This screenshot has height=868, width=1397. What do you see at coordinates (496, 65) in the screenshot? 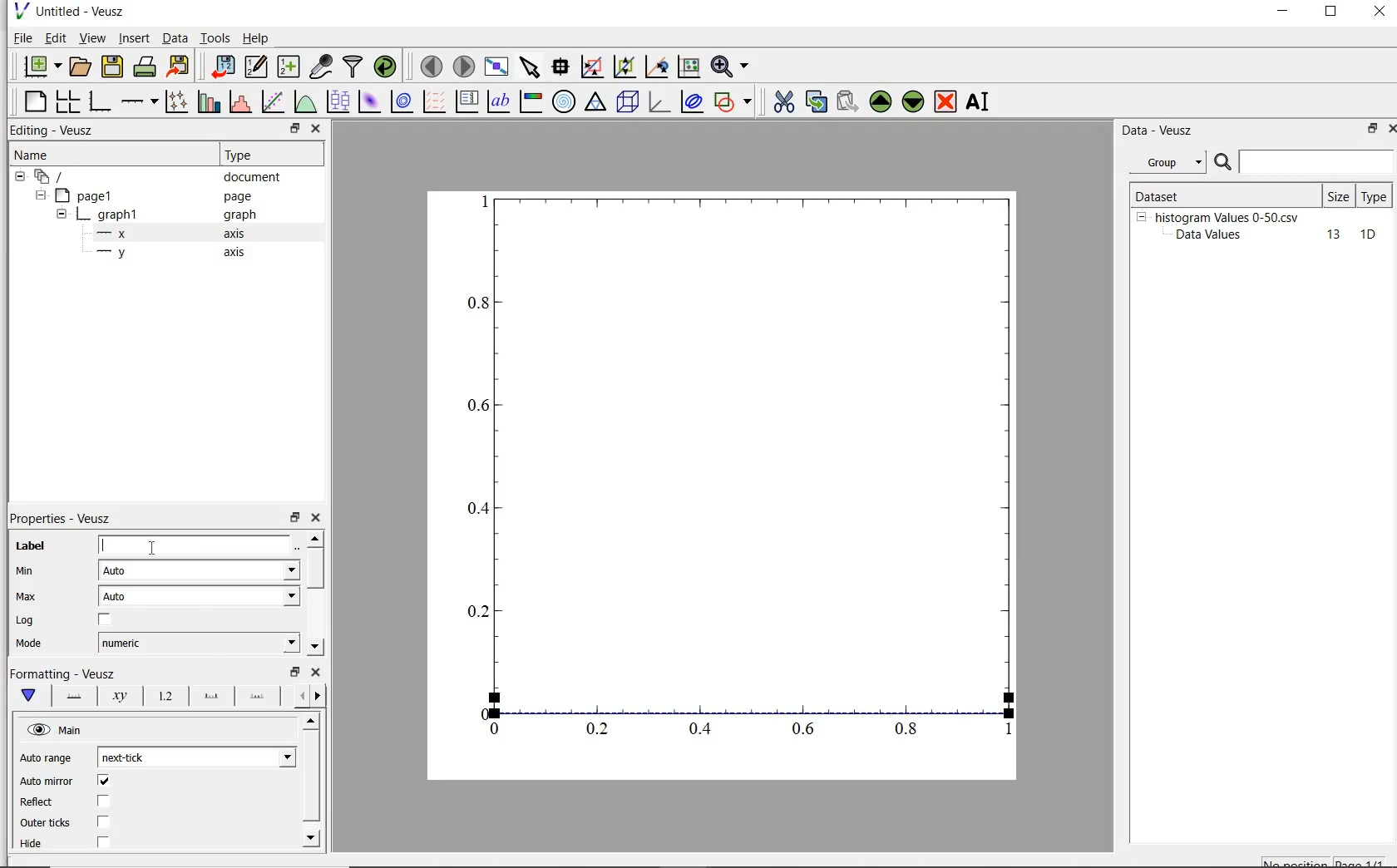
I see `view plot fullscreen` at bounding box center [496, 65].